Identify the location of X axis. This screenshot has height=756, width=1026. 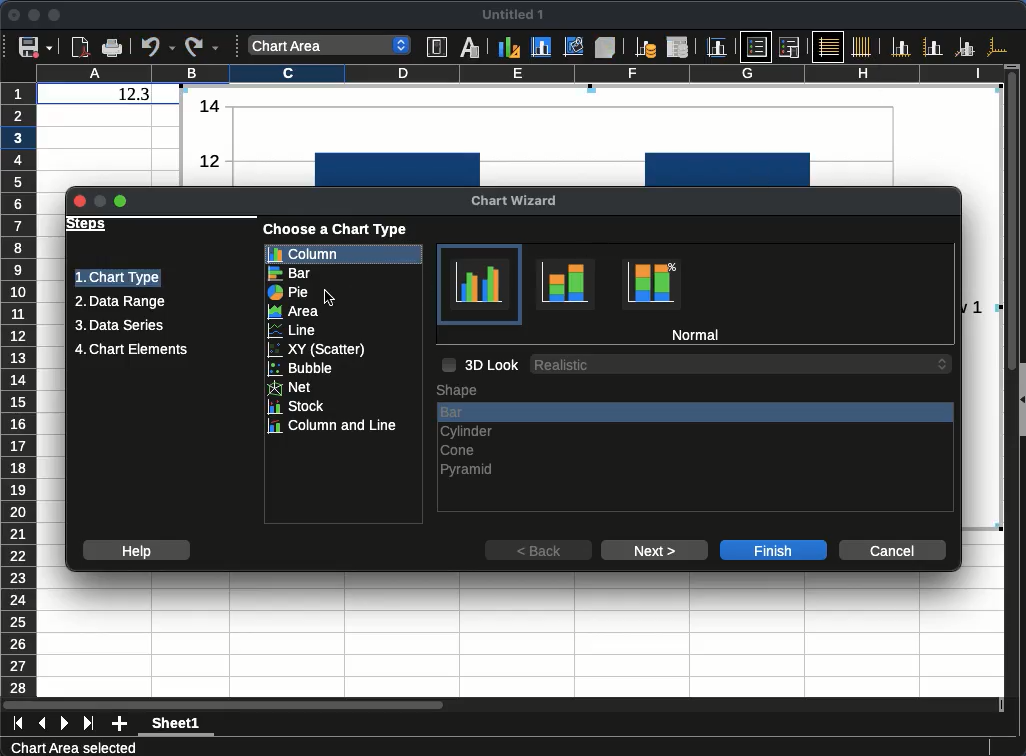
(901, 47).